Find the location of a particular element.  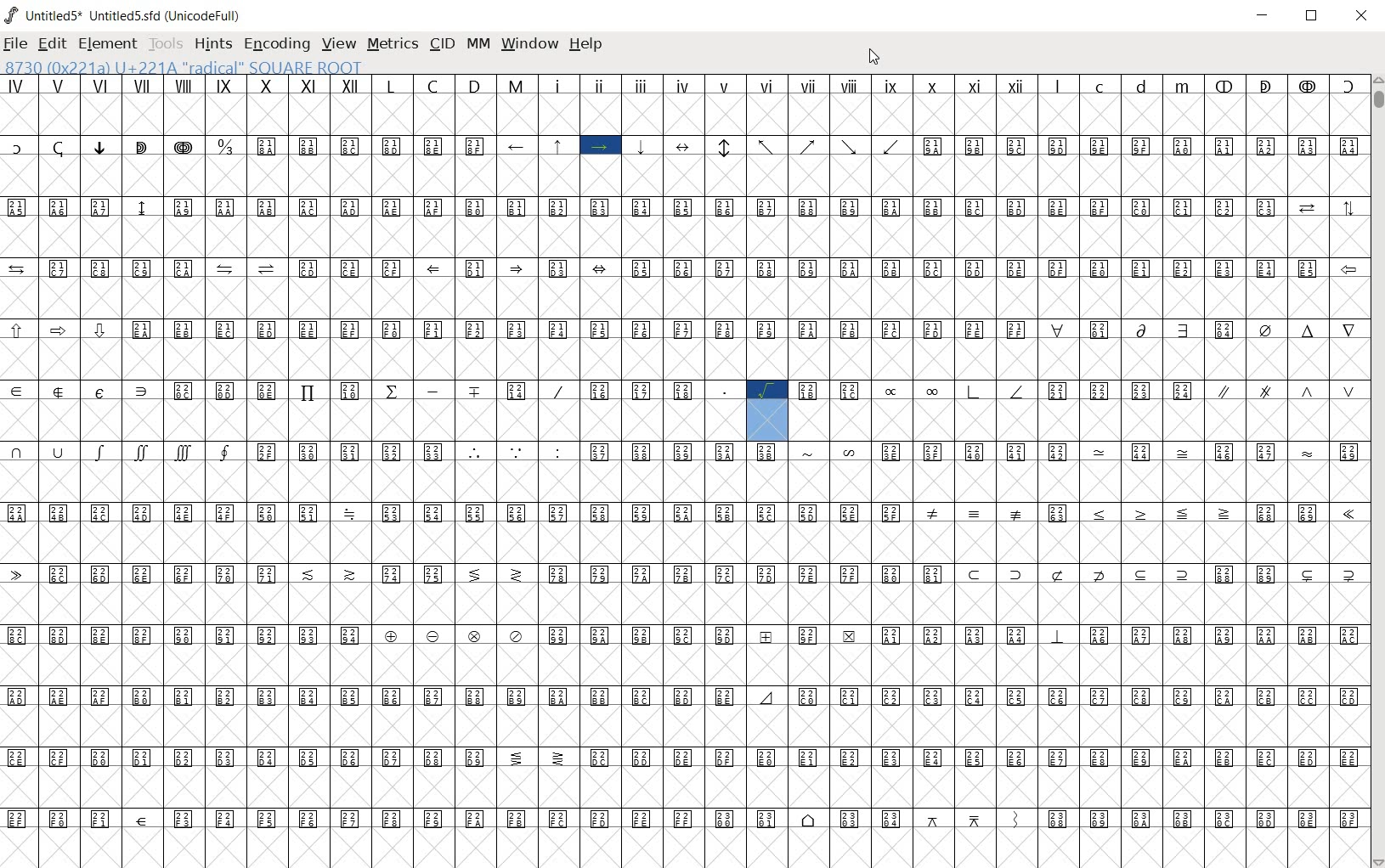

Untitled5* Untitled5.sfd (UnicodeFull) is located at coordinates (127, 15).